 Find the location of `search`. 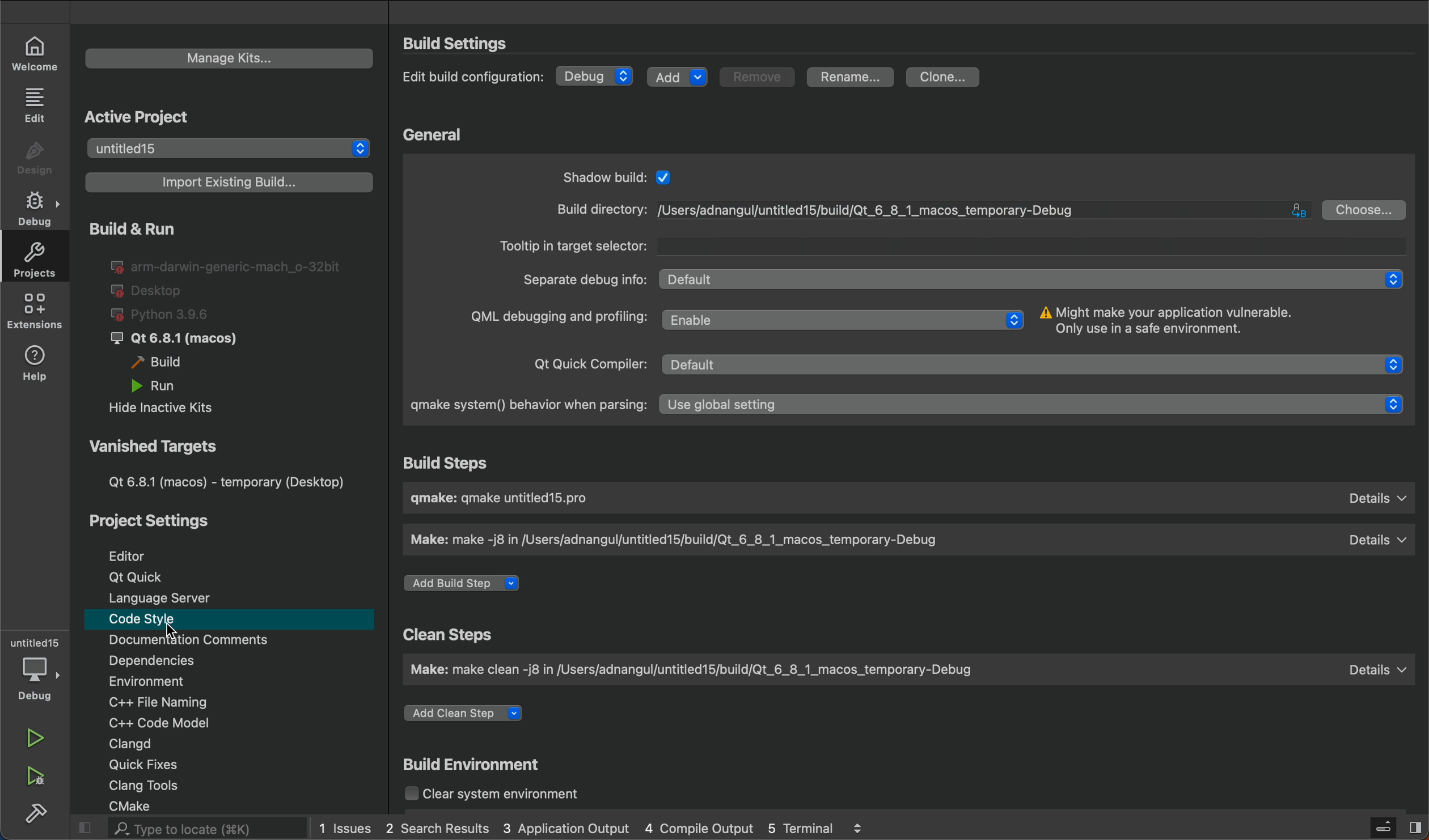

search is located at coordinates (184, 828).